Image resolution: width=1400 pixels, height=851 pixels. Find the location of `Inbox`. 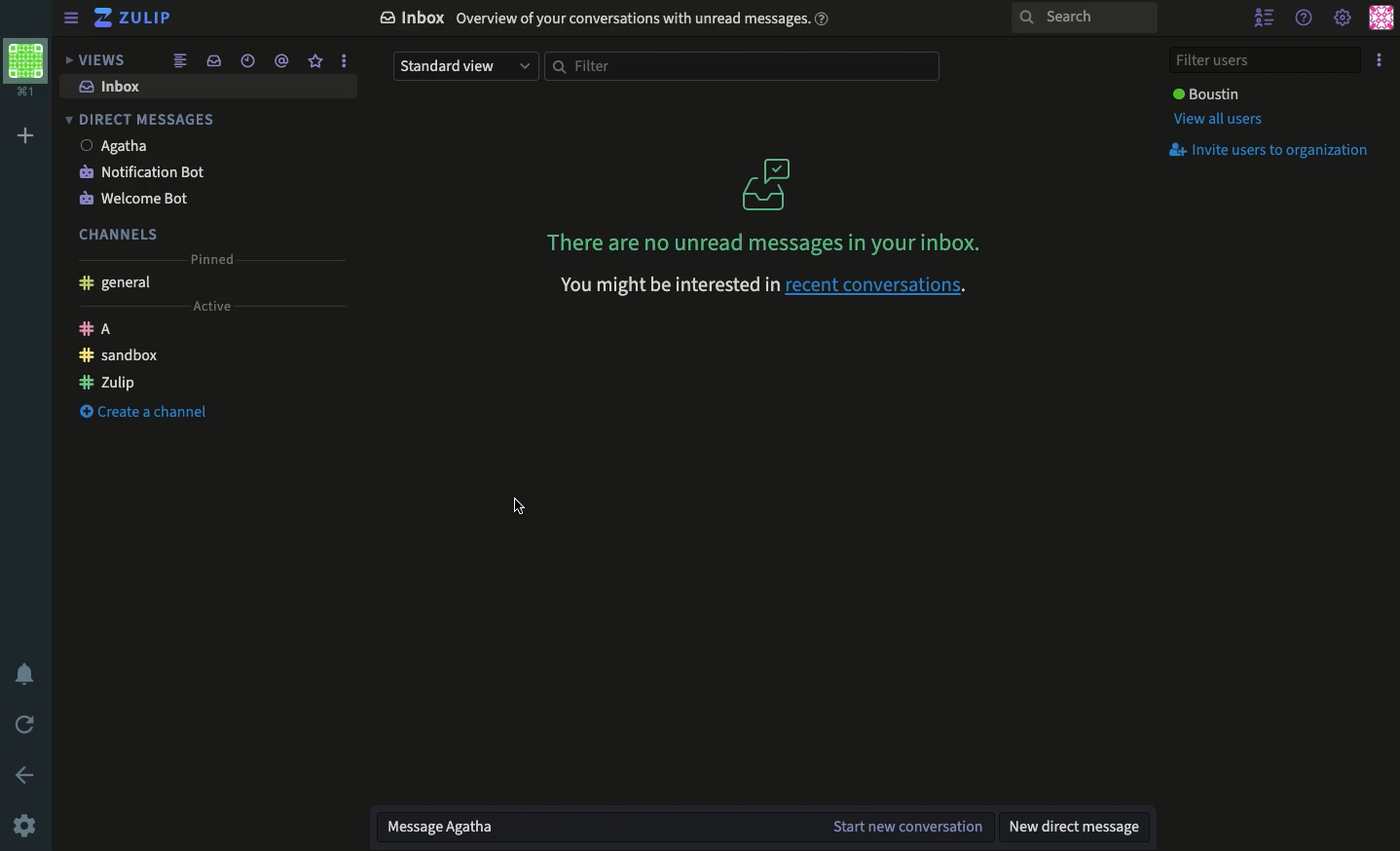

Inbox is located at coordinates (211, 88).